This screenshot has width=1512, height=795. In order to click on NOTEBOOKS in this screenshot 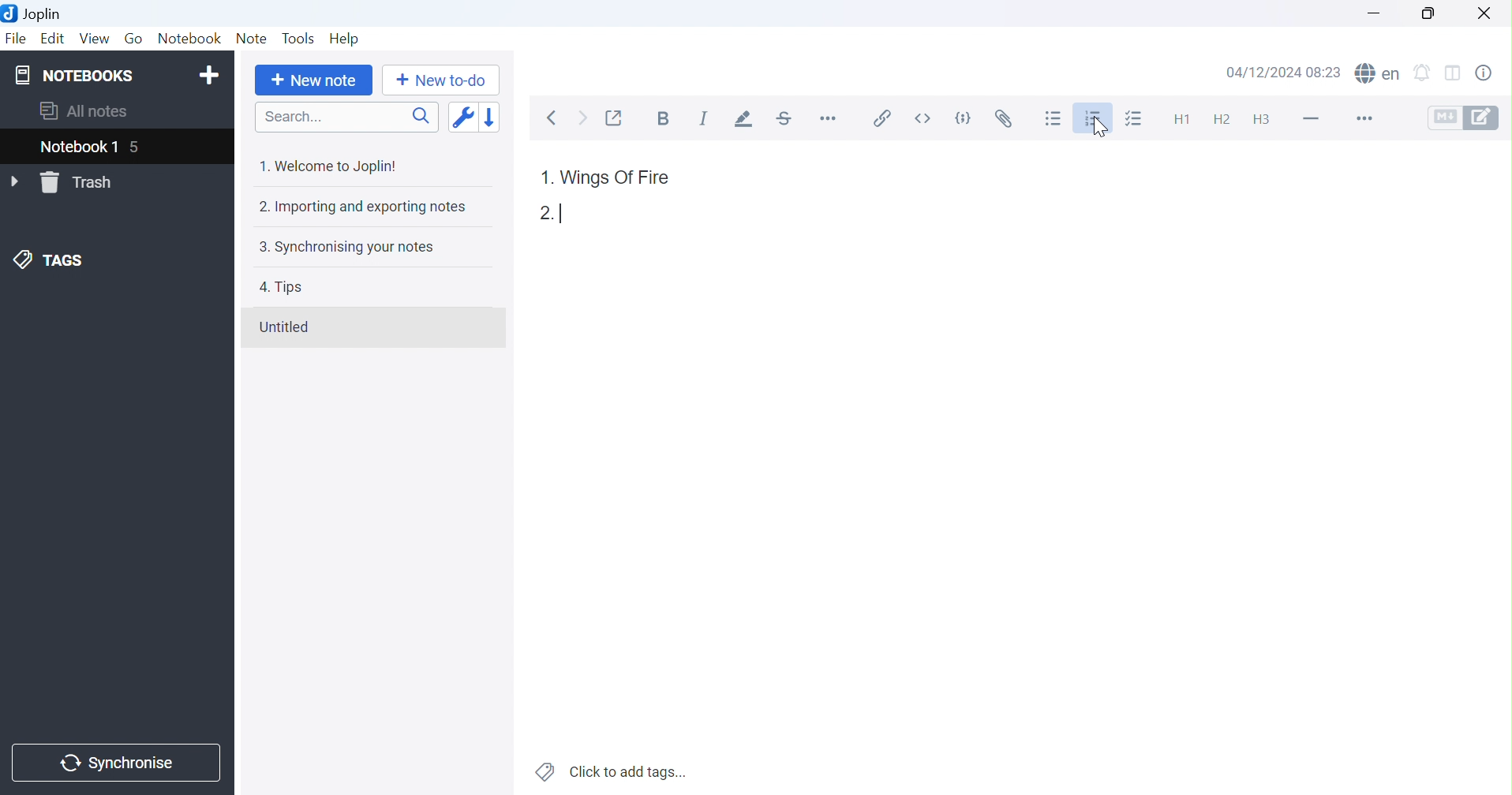, I will do `click(73, 76)`.